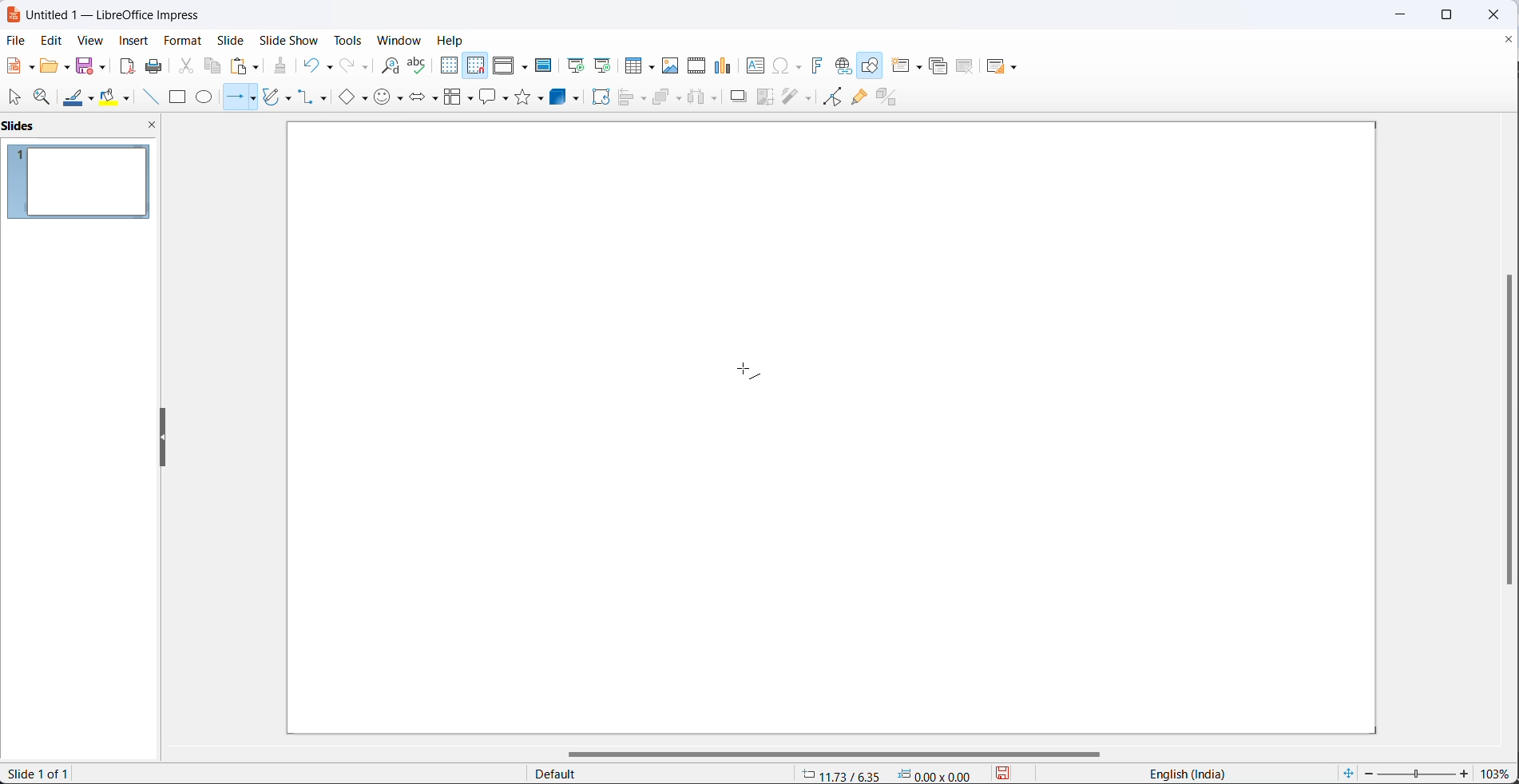 The image size is (1519, 784). Describe the element at coordinates (280, 65) in the screenshot. I see `clone formatting` at that location.